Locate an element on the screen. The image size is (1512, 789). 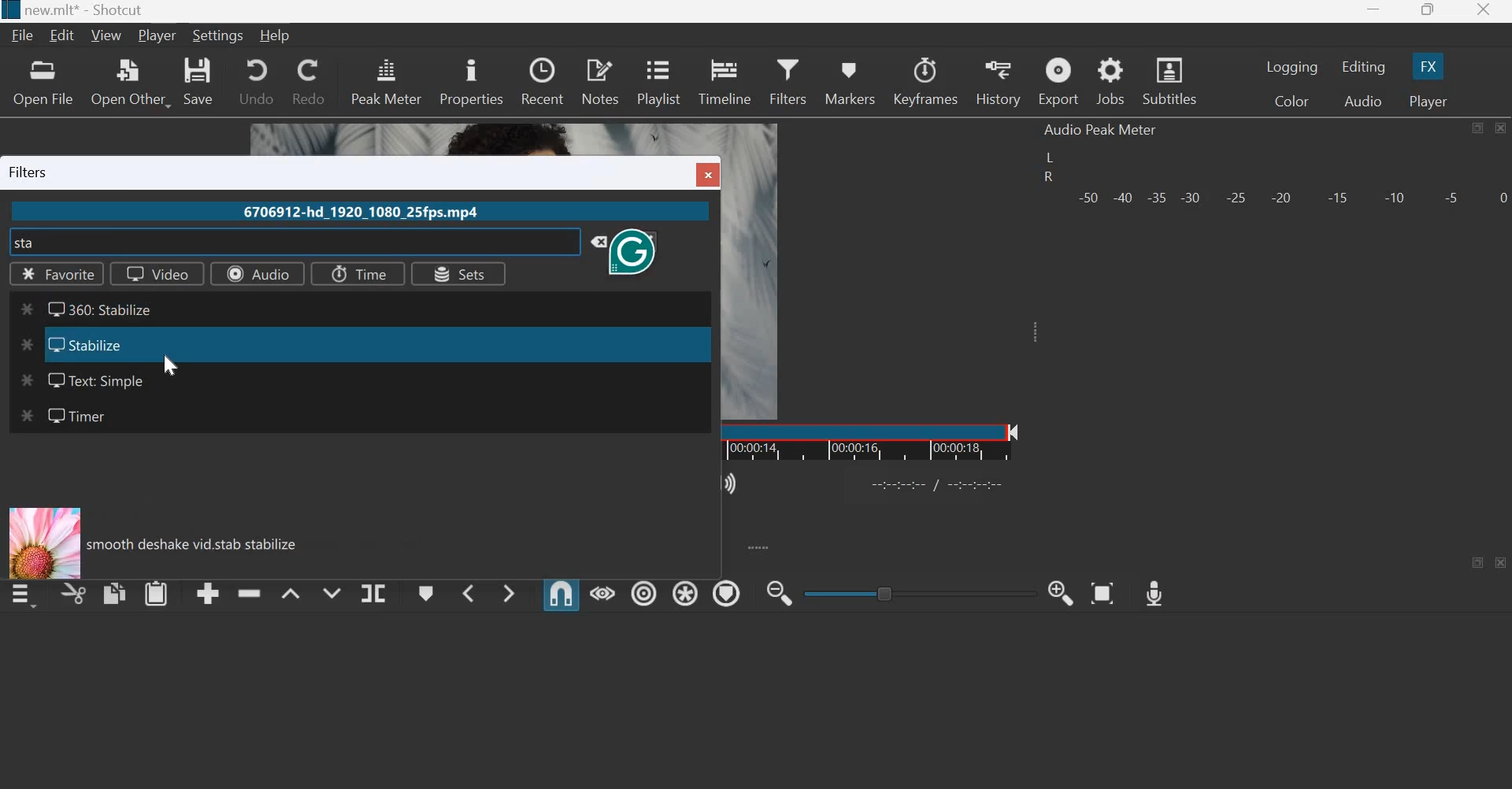
lightness value exposure brightness is located at coordinates (201, 543).